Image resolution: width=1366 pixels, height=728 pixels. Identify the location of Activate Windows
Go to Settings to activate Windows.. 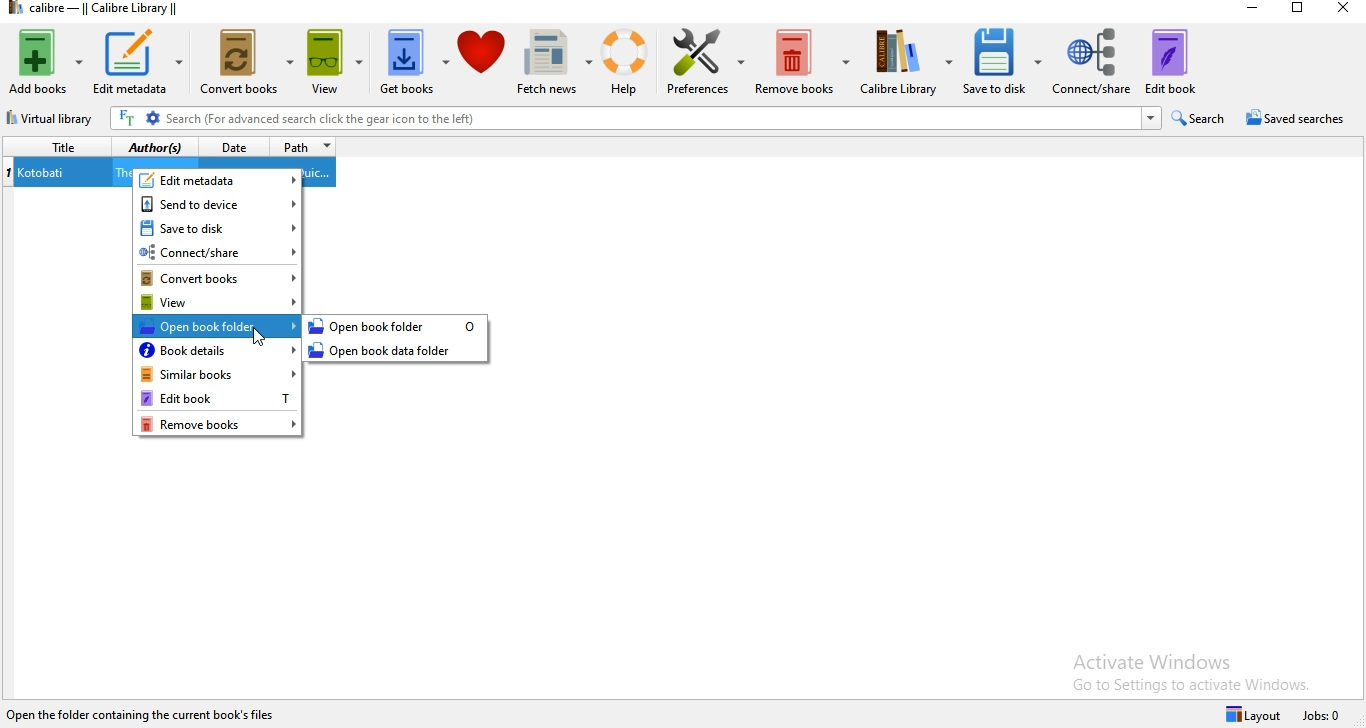
(1192, 669).